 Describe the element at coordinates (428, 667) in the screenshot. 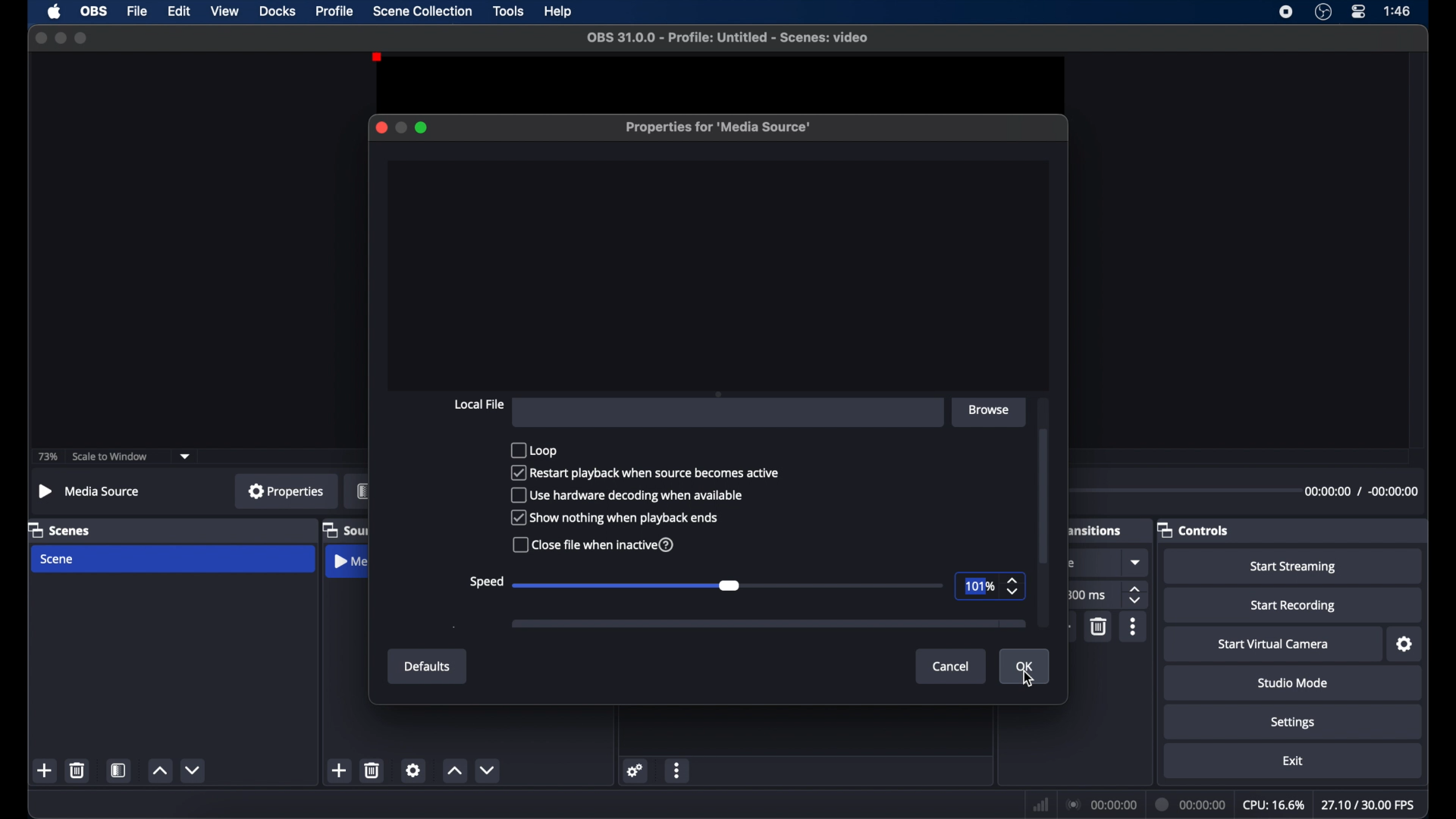

I see `defaults` at that location.